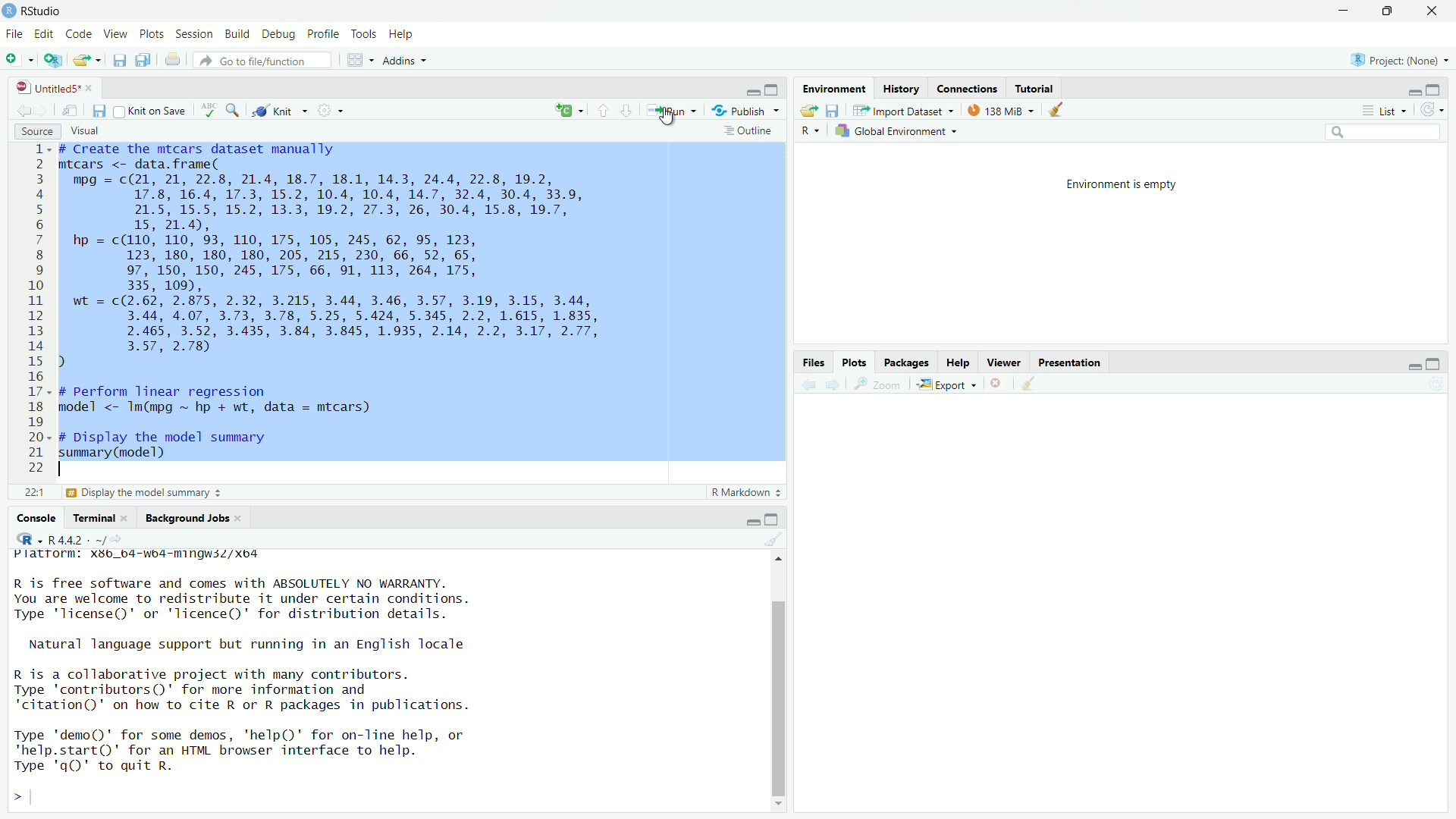 The height and width of the screenshot is (819, 1456). Describe the element at coordinates (1387, 11) in the screenshot. I see `maximize` at that location.